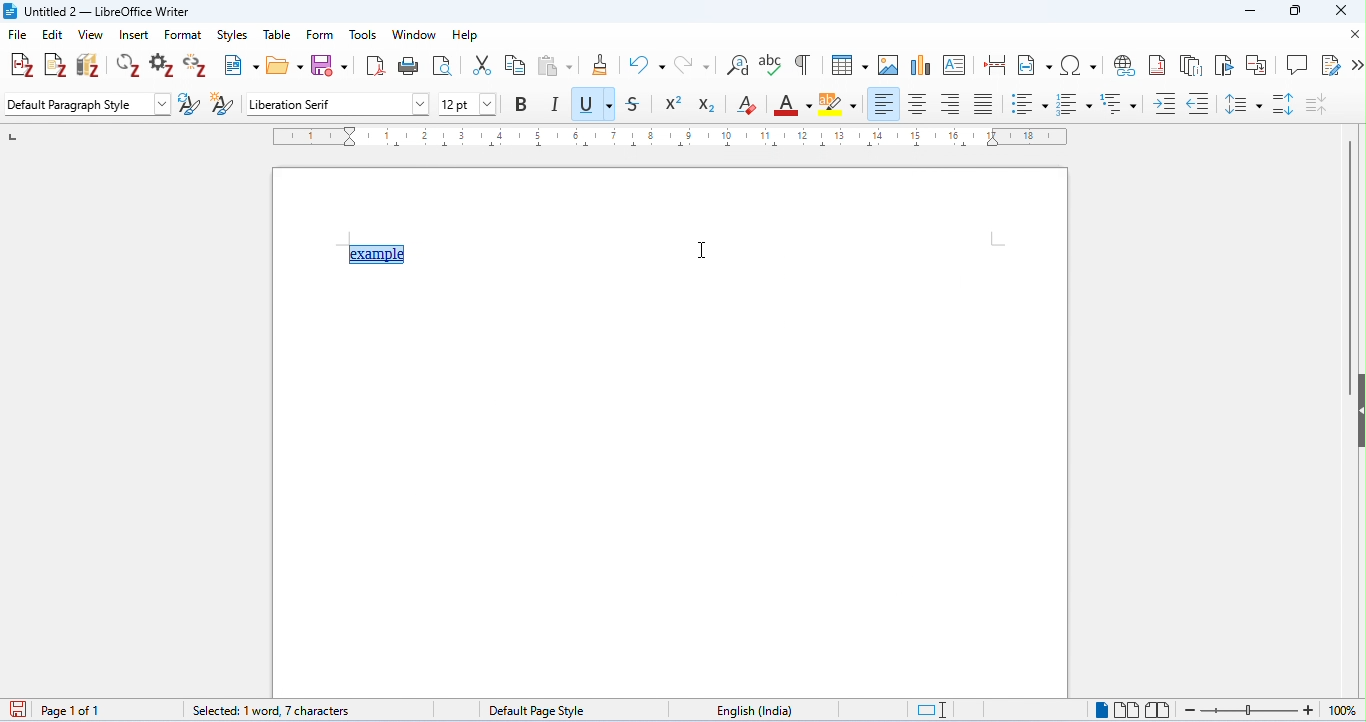  Describe the element at coordinates (1036, 64) in the screenshot. I see `insert field` at that location.